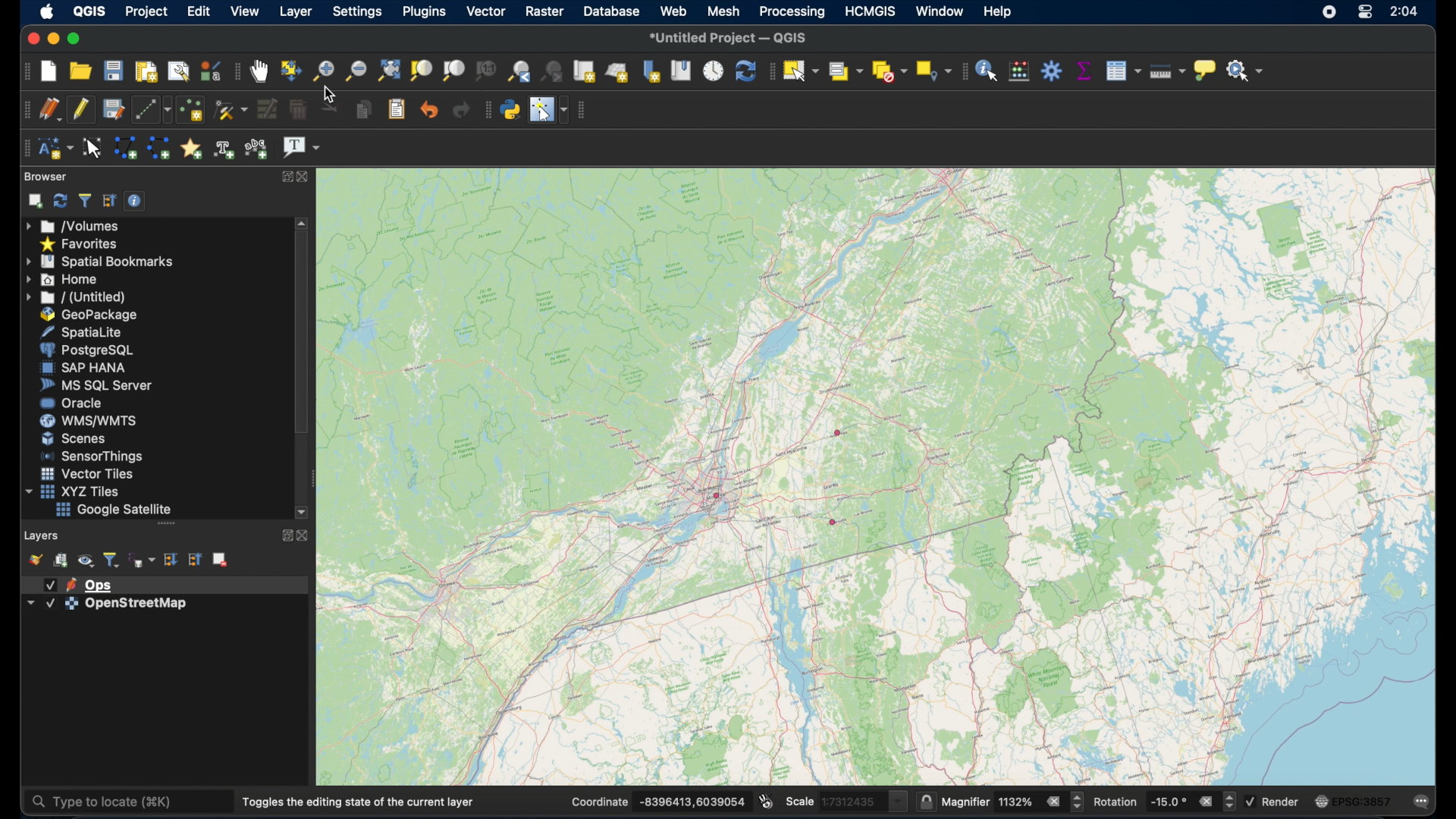 This screenshot has height=819, width=1456. Describe the element at coordinates (711, 520) in the screenshot. I see `open street map` at that location.